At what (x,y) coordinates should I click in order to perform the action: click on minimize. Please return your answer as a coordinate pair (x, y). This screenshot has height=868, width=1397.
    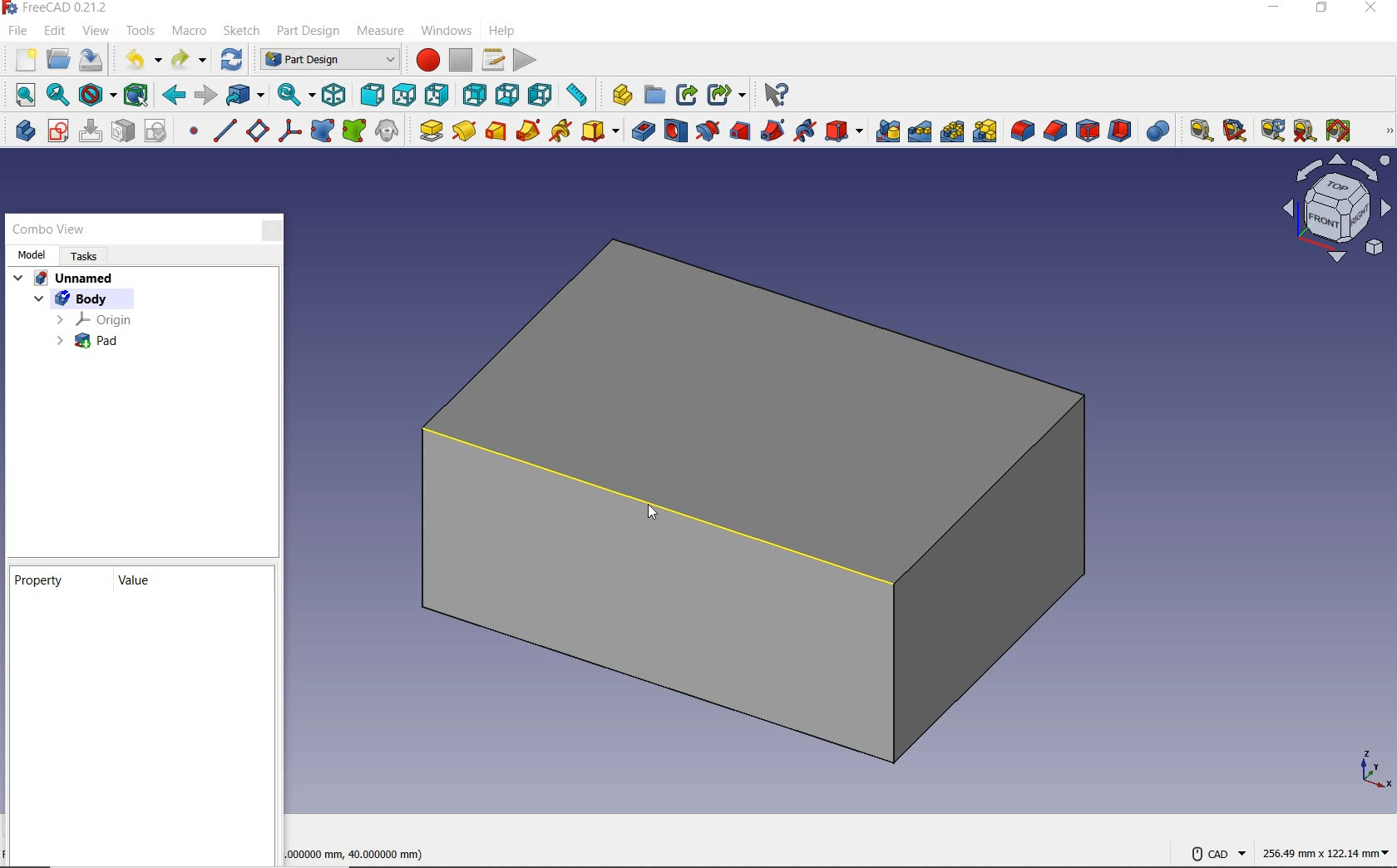
    Looking at the image, I should click on (1273, 7).